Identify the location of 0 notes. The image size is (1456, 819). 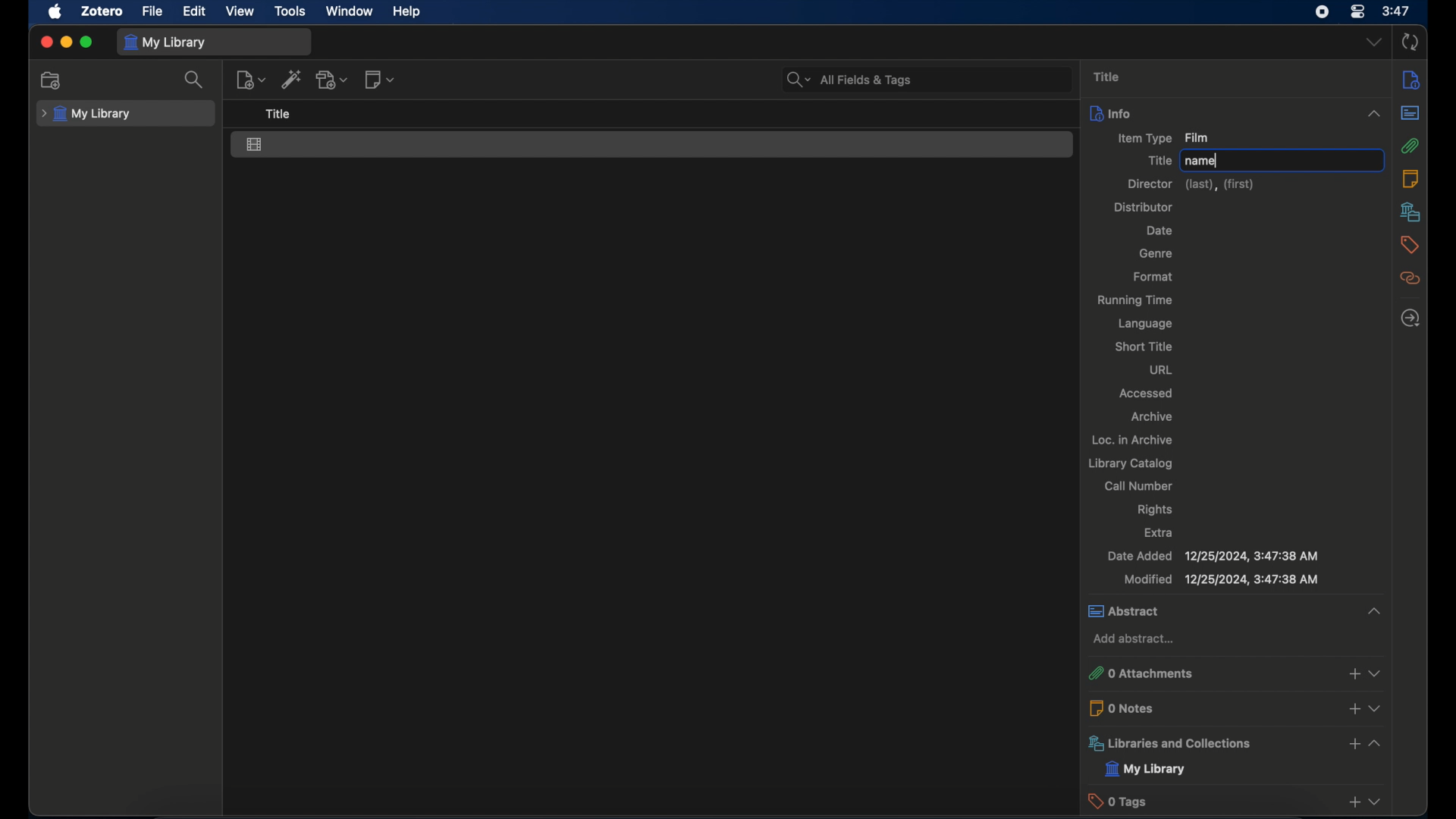
(1207, 706).